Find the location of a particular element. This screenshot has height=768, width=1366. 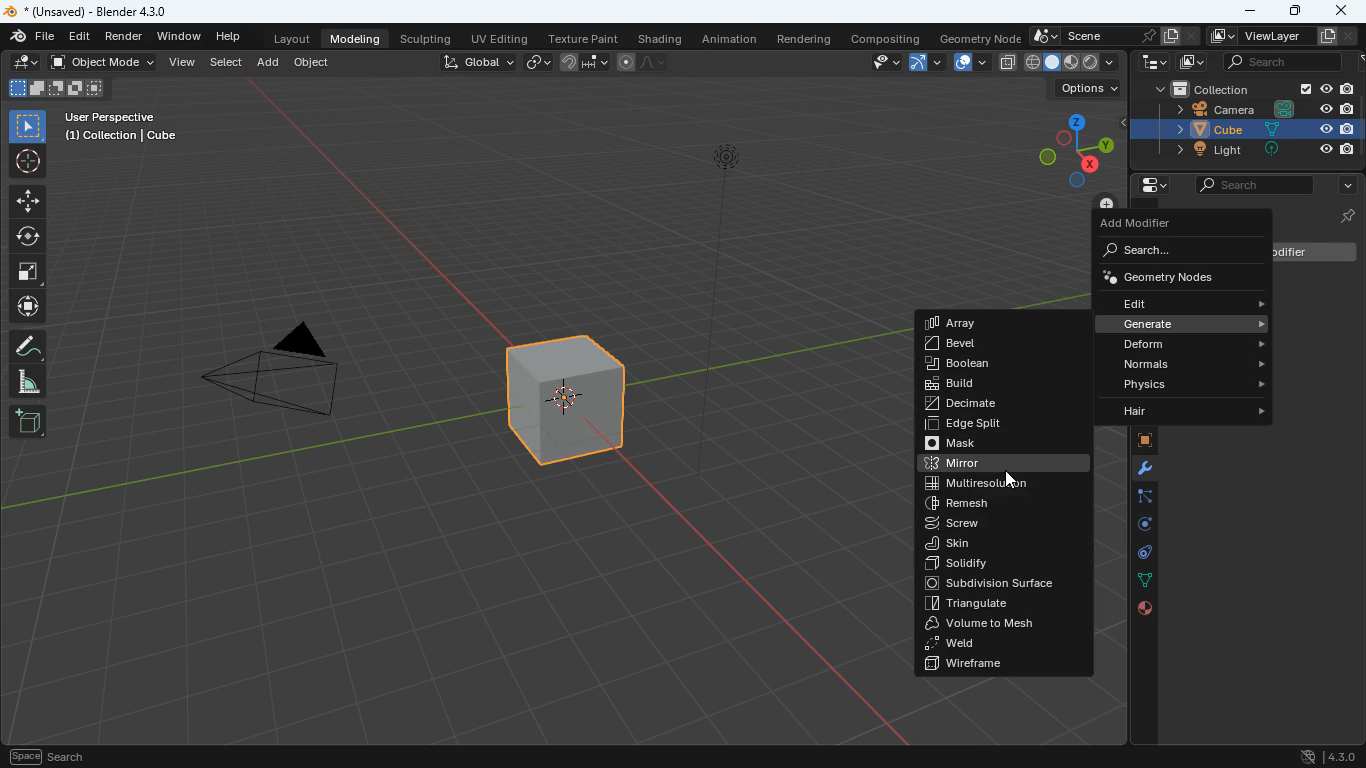

blender is located at coordinates (90, 12).